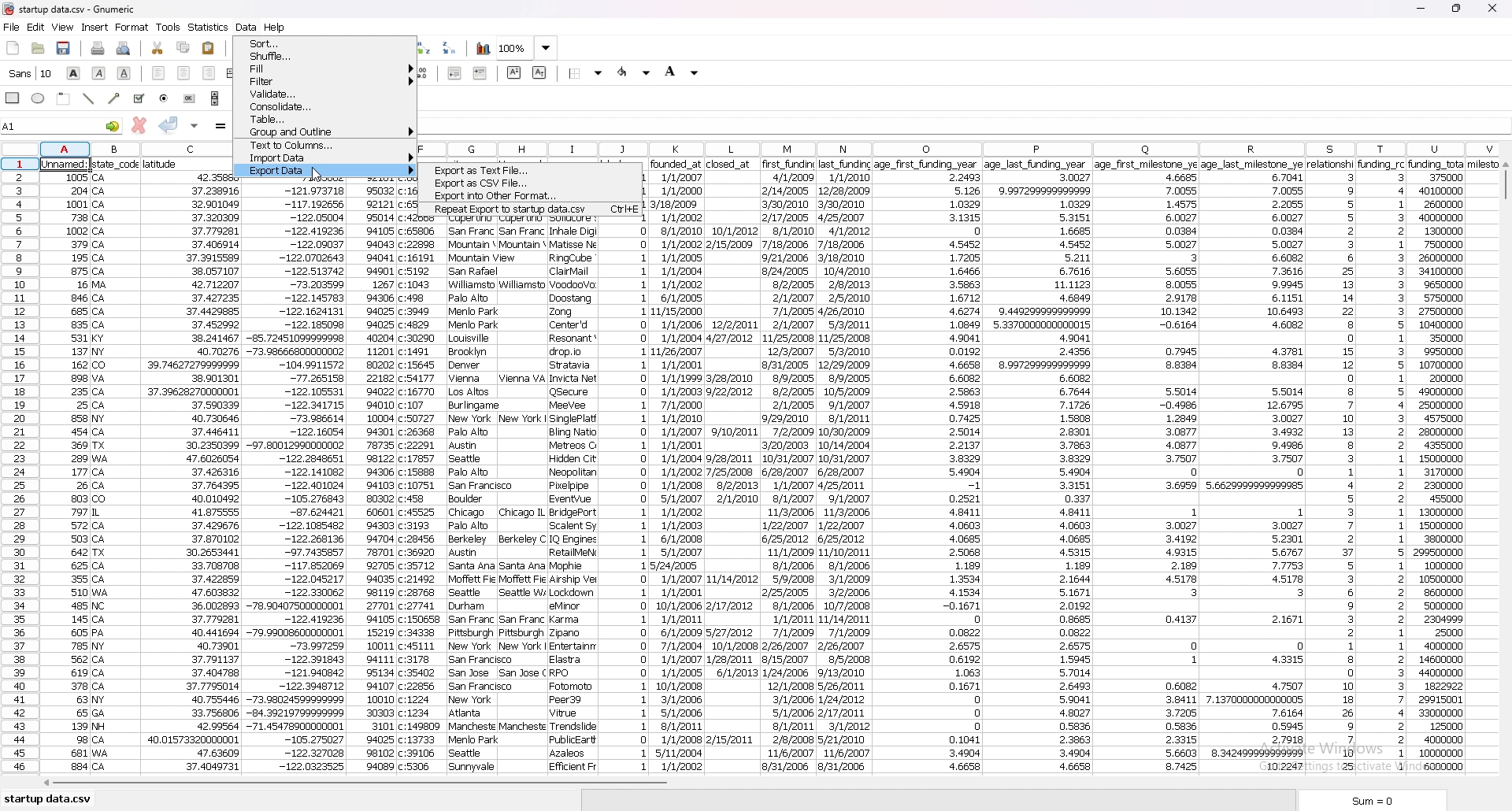 The height and width of the screenshot is (811, 1512). Describe the element at coordinates (138, 125) in the screenshot. I see `cancel changes` at that location.